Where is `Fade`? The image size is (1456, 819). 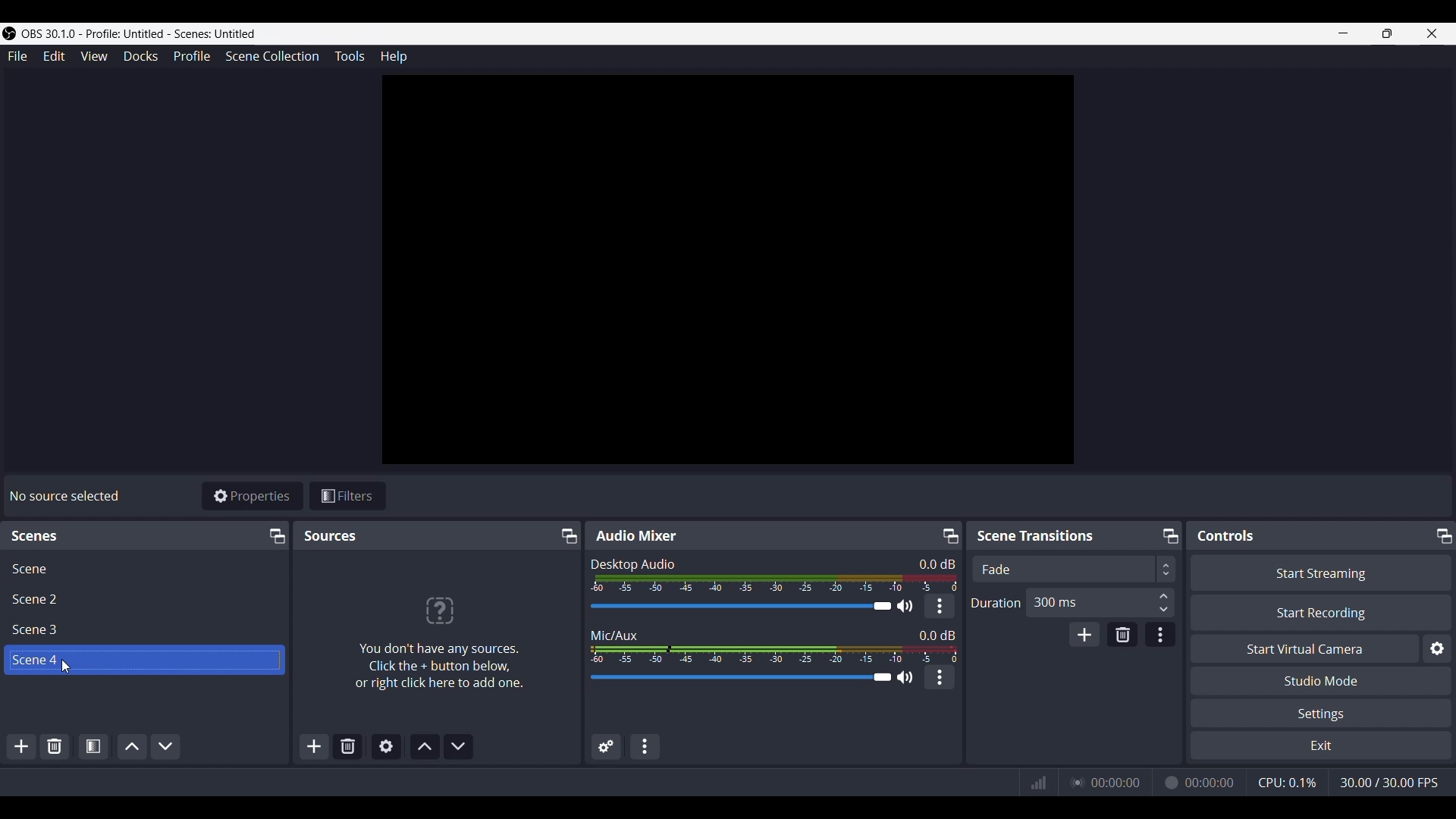
Fade is located at coordinates (996, 570).